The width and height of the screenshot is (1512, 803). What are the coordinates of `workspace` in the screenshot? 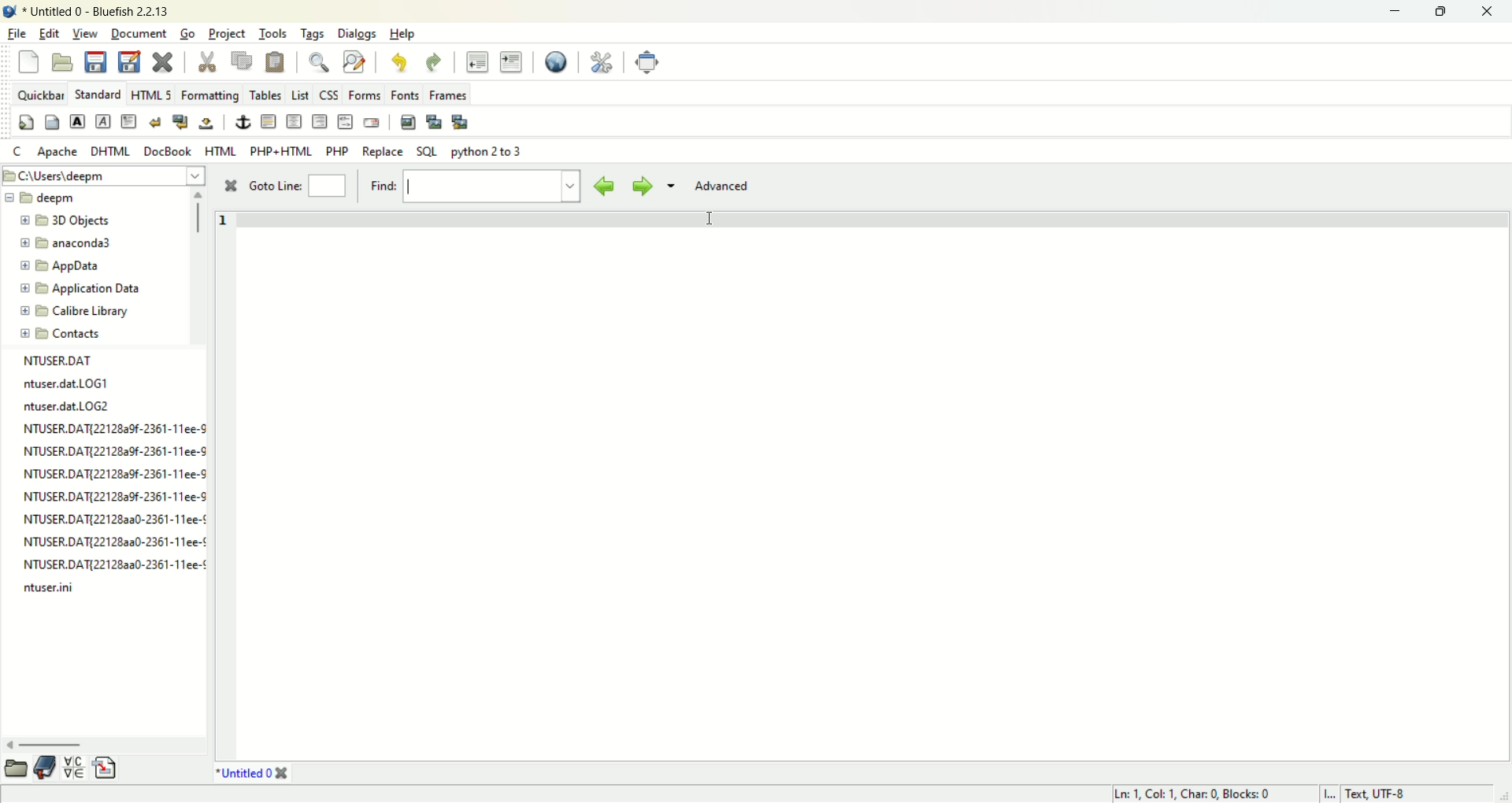 It's located at (871, 483).